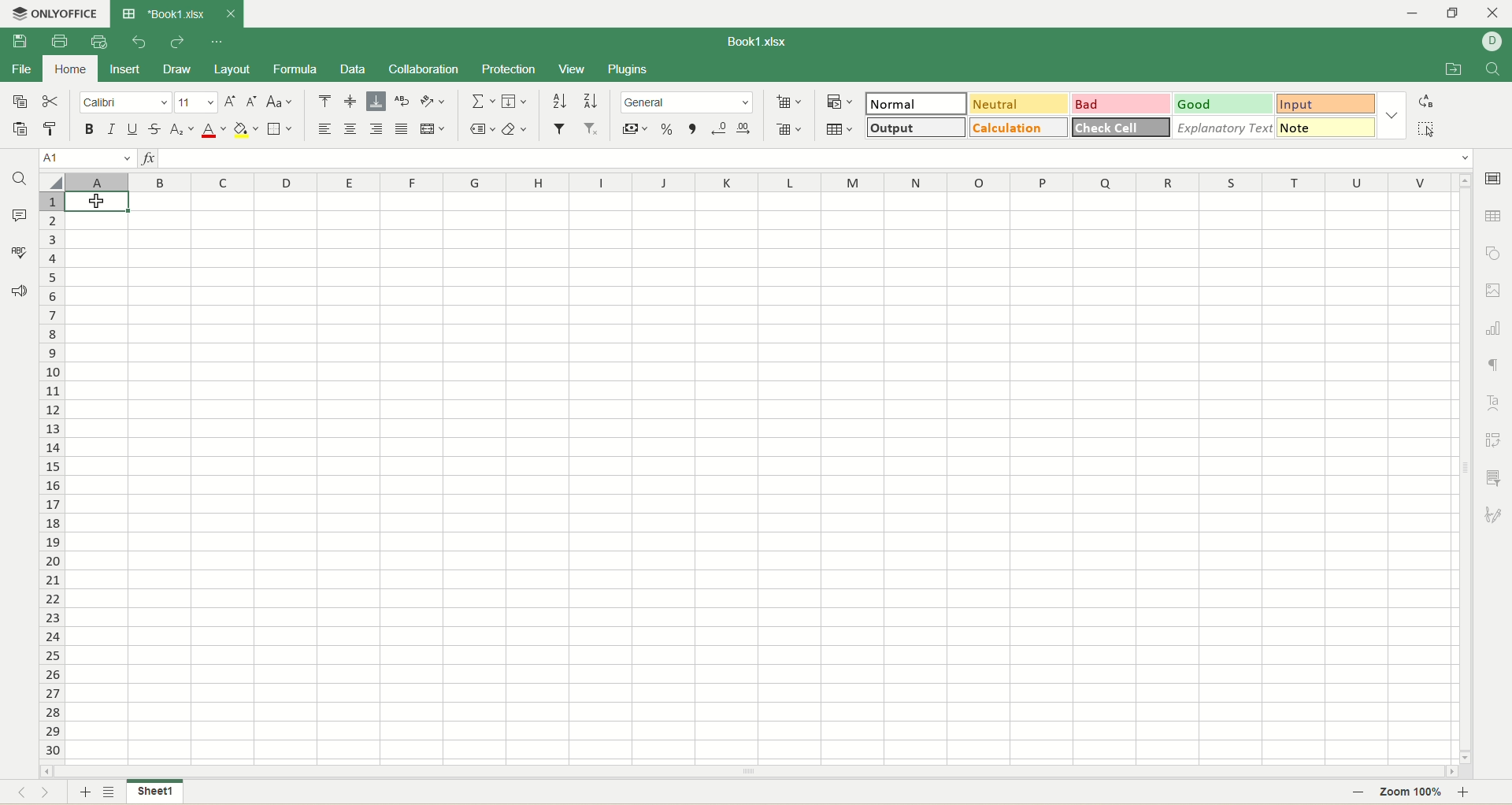  I want to click on align left, so click(325, 130).